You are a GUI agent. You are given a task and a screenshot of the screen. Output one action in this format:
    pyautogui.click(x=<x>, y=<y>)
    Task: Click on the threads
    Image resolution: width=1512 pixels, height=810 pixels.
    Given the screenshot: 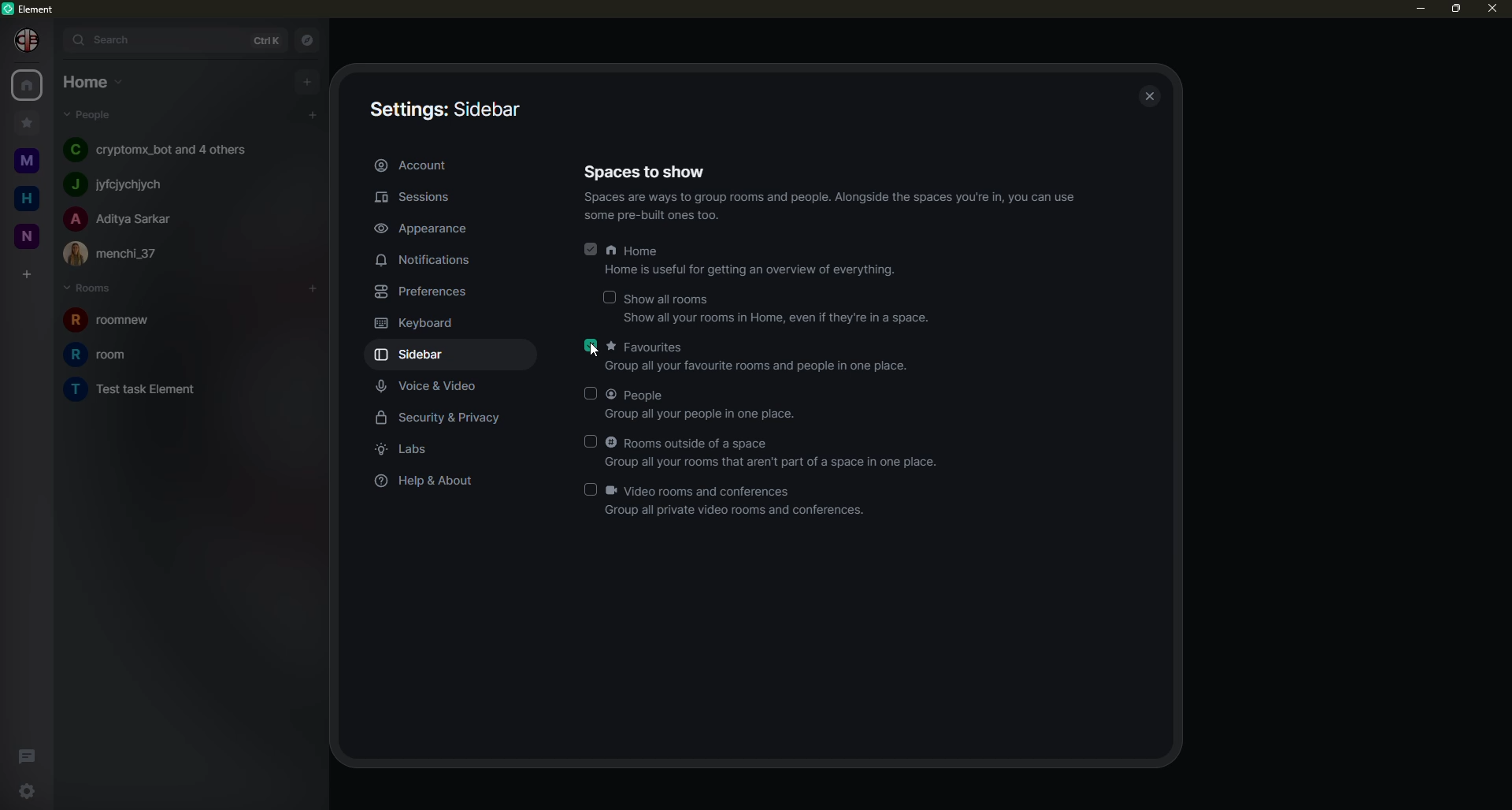 What is the action you would take?
    pyautogui.click(x=25, y=756)
    